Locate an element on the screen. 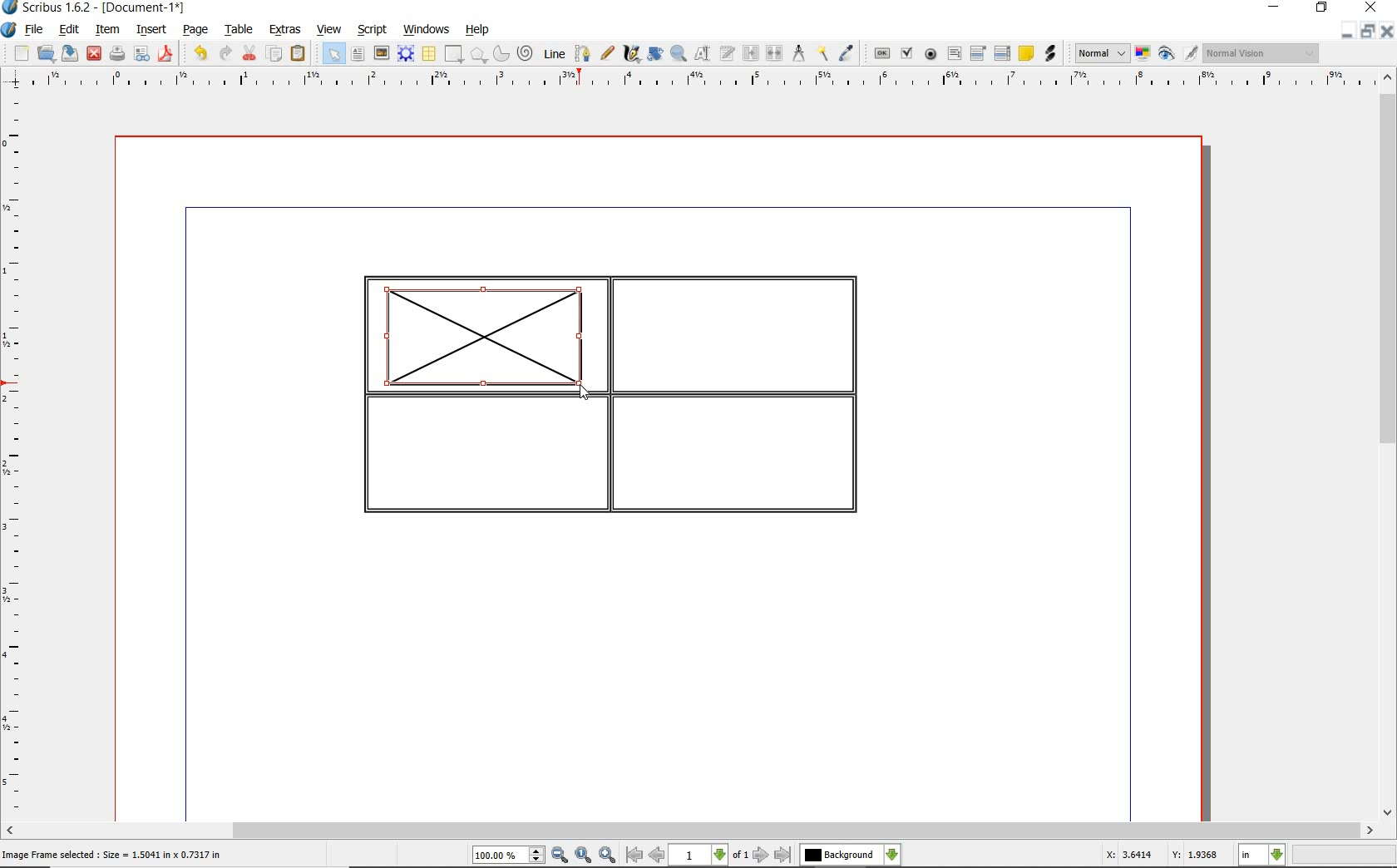  select measurement is located at coordinates (1262, 855).